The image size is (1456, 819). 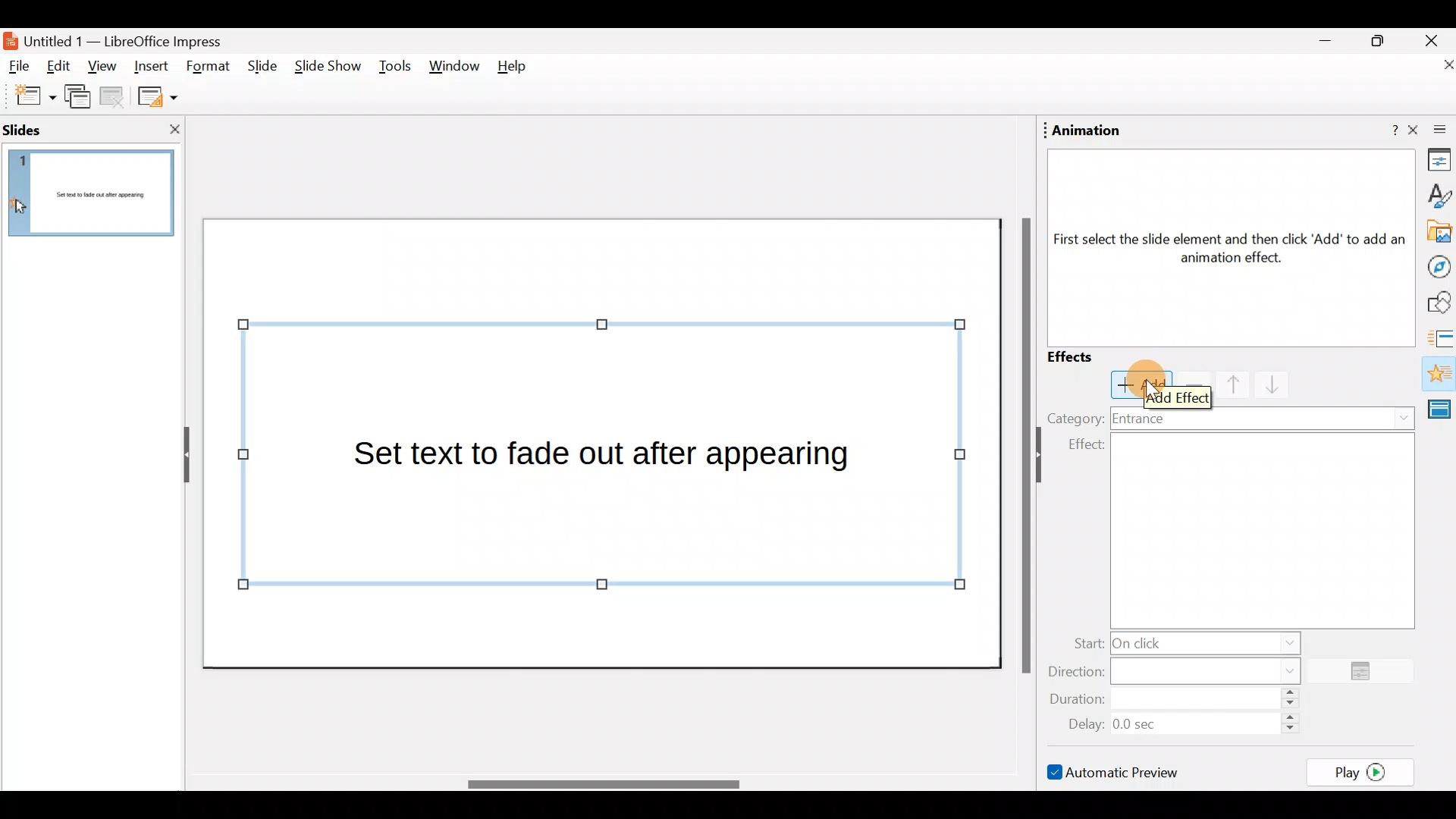 What do you see at coordinates (1224, 384) in the screenshot?
I see `Move up` at bounding box center [1224, 384].